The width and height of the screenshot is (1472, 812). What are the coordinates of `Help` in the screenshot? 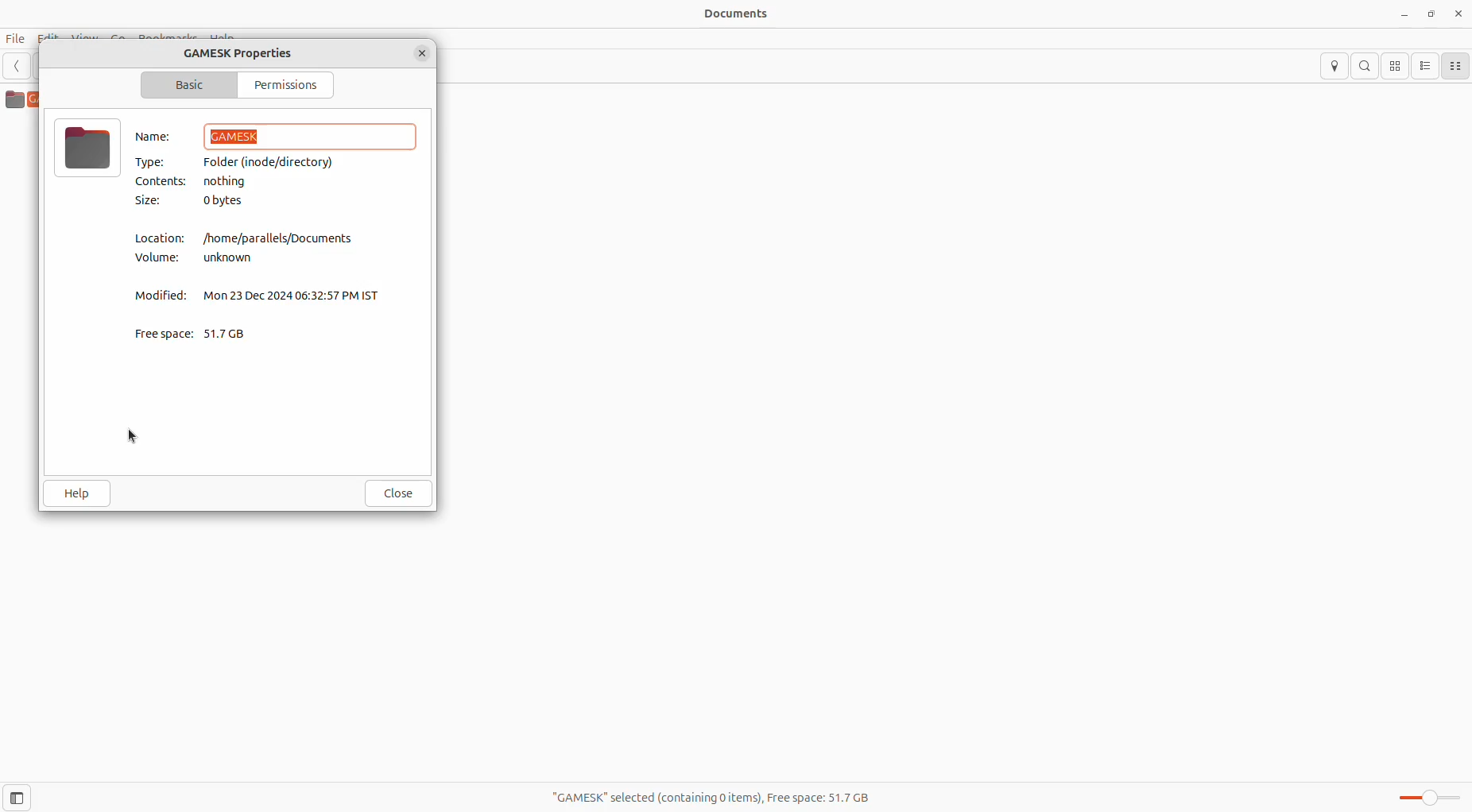 It's located at (78, 493).